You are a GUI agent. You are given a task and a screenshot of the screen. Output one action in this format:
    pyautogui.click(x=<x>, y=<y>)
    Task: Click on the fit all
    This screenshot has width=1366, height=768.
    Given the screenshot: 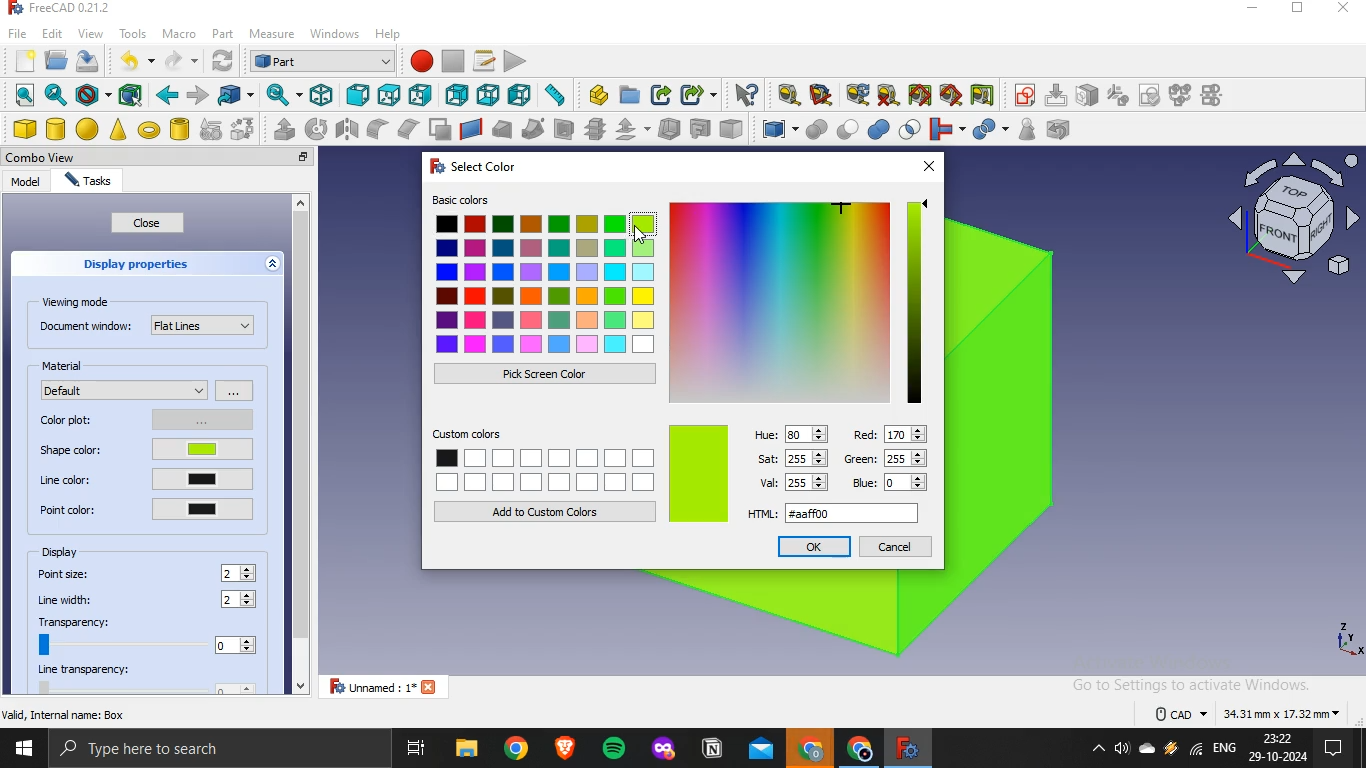 What is the action you would take?
    pyautogui.click(x=24, y=95)
    